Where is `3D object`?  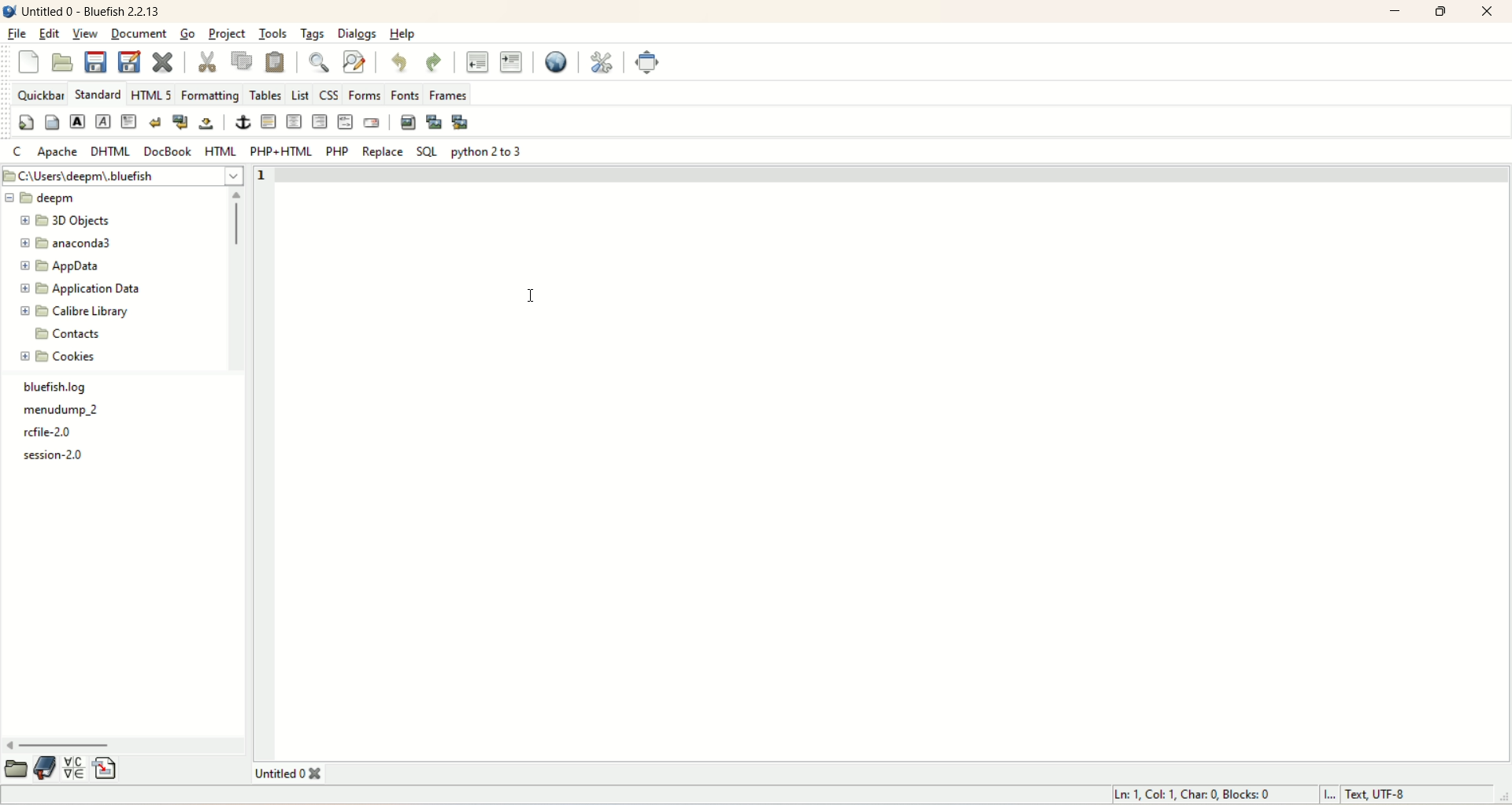 3D object is located at coordinates (68, 221).